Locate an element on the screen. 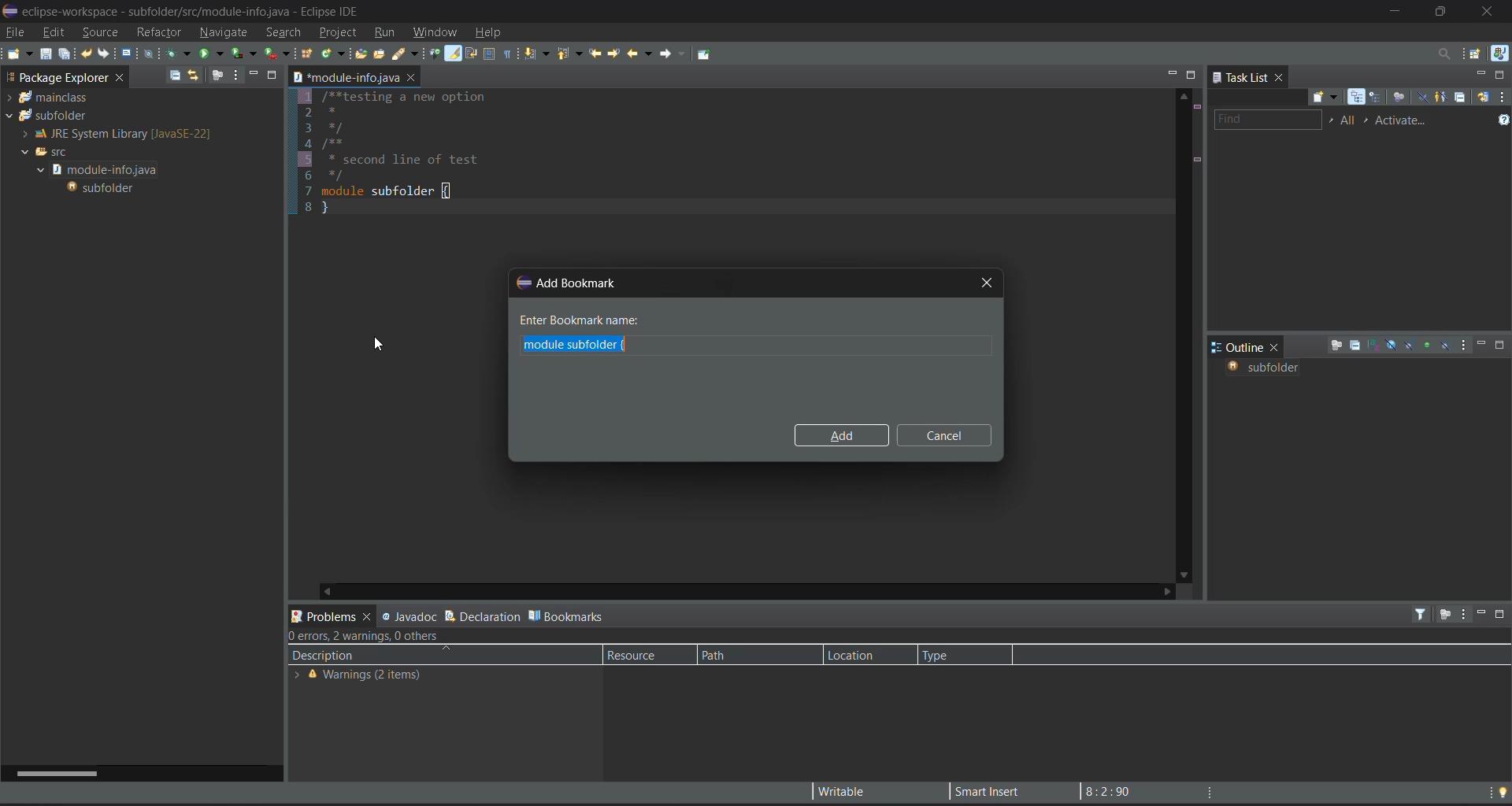 This screenshot has height=806, width=1512. view menu is located at coordinates (1465, 346).